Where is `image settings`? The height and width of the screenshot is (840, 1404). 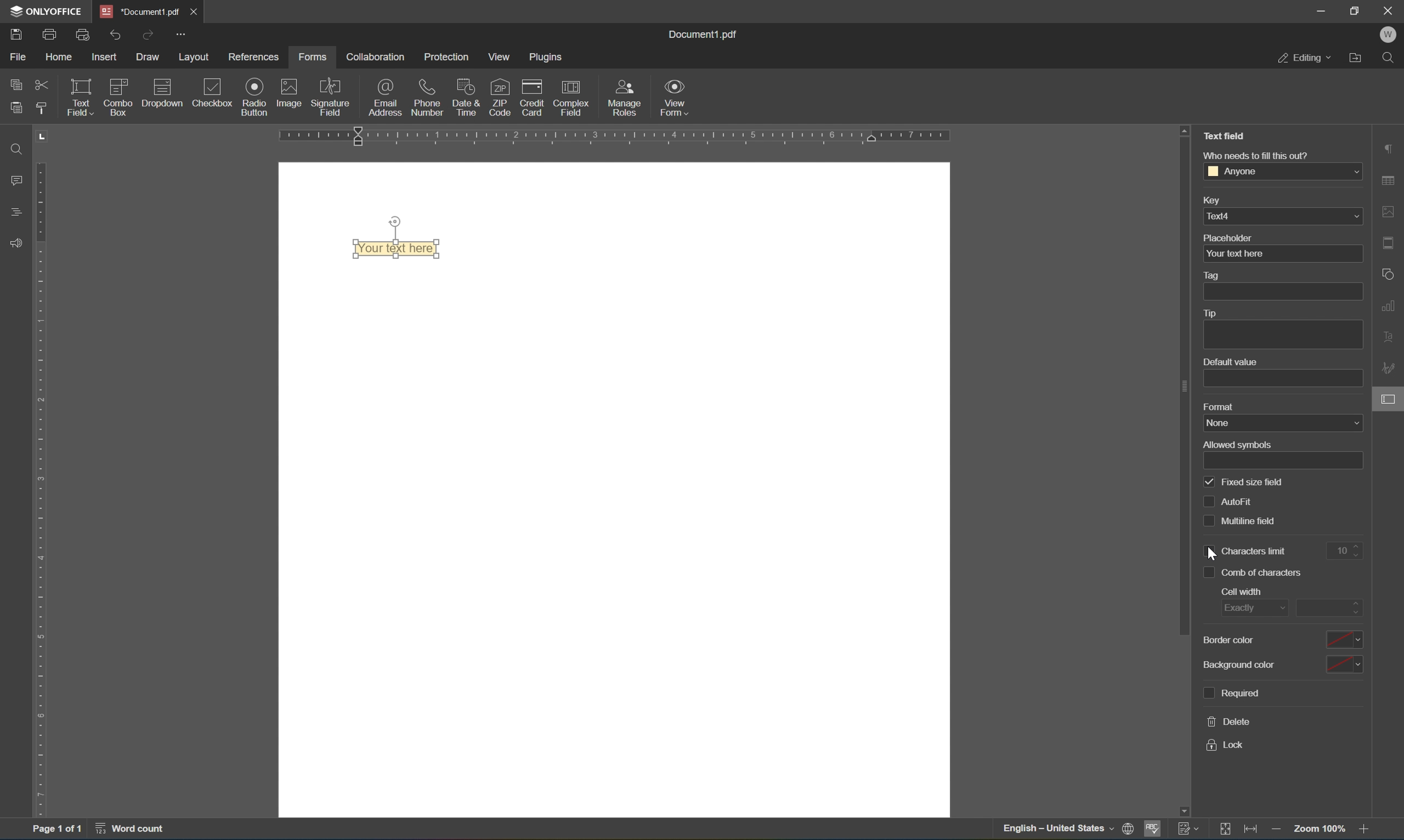
image settings is located at coordinates (1390, 210).